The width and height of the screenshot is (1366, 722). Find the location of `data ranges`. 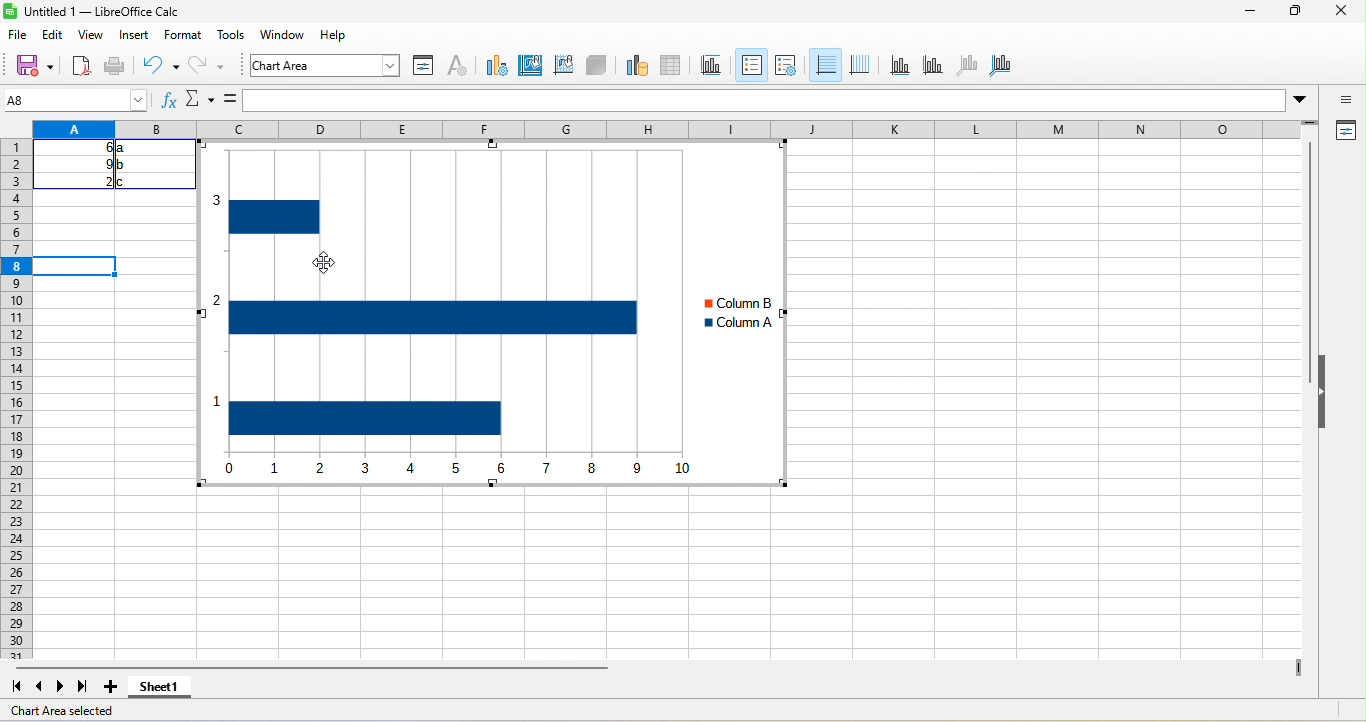

data ranges is located at coordinates (631, 66).